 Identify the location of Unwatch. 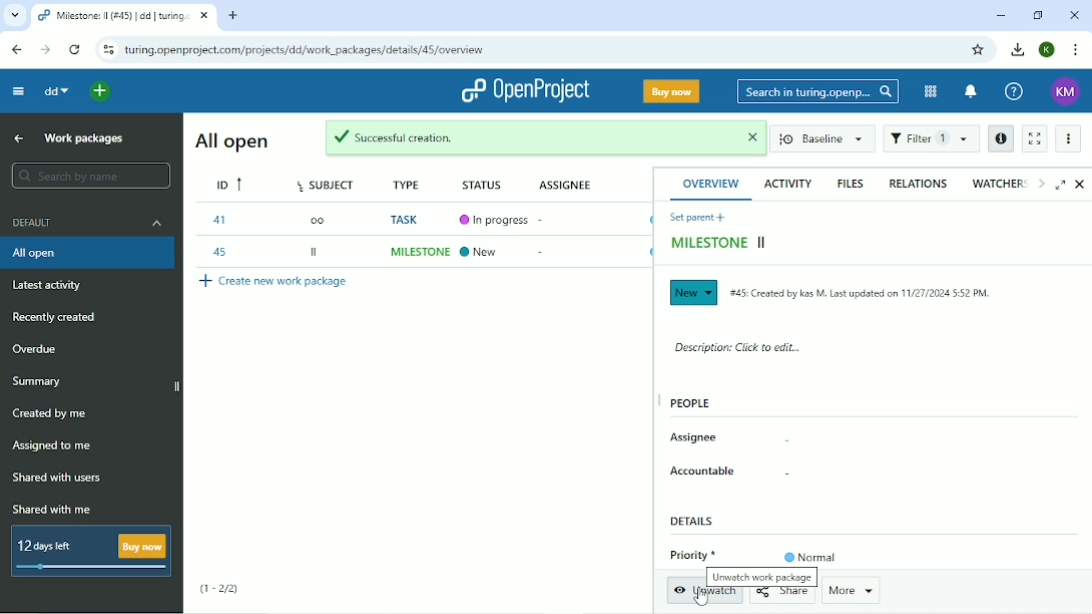
(706, 597).